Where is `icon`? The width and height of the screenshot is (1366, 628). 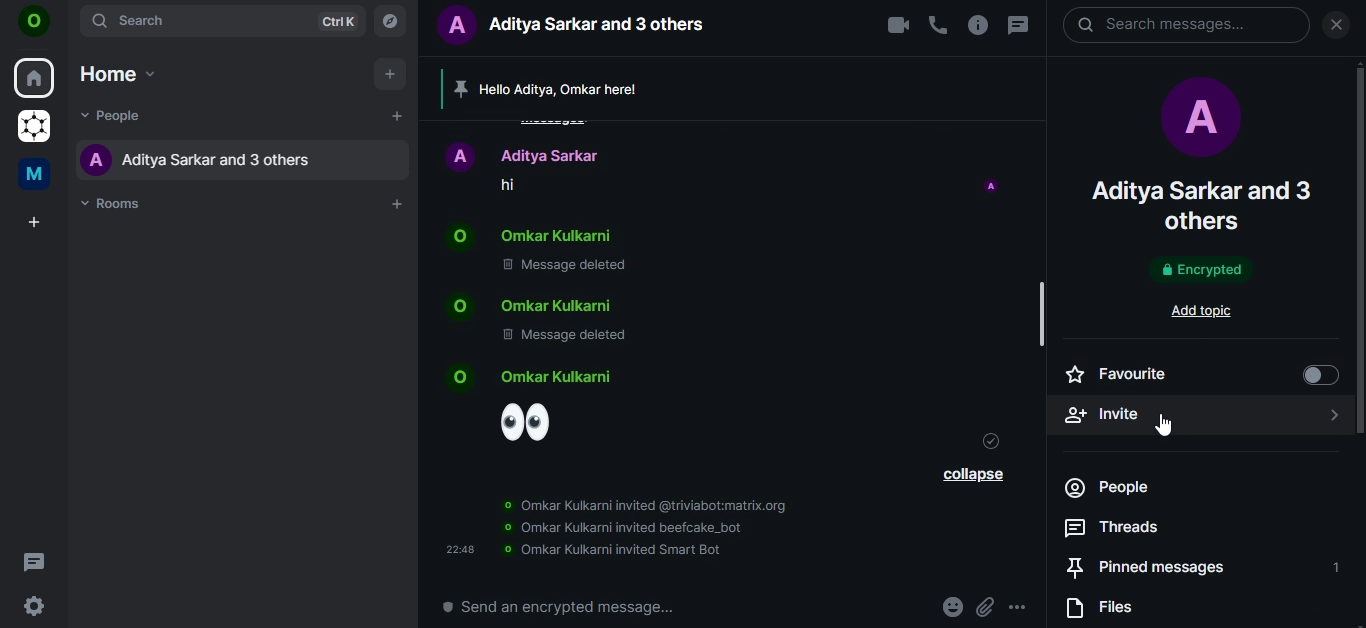
icon is located at coordinates (34, 24).